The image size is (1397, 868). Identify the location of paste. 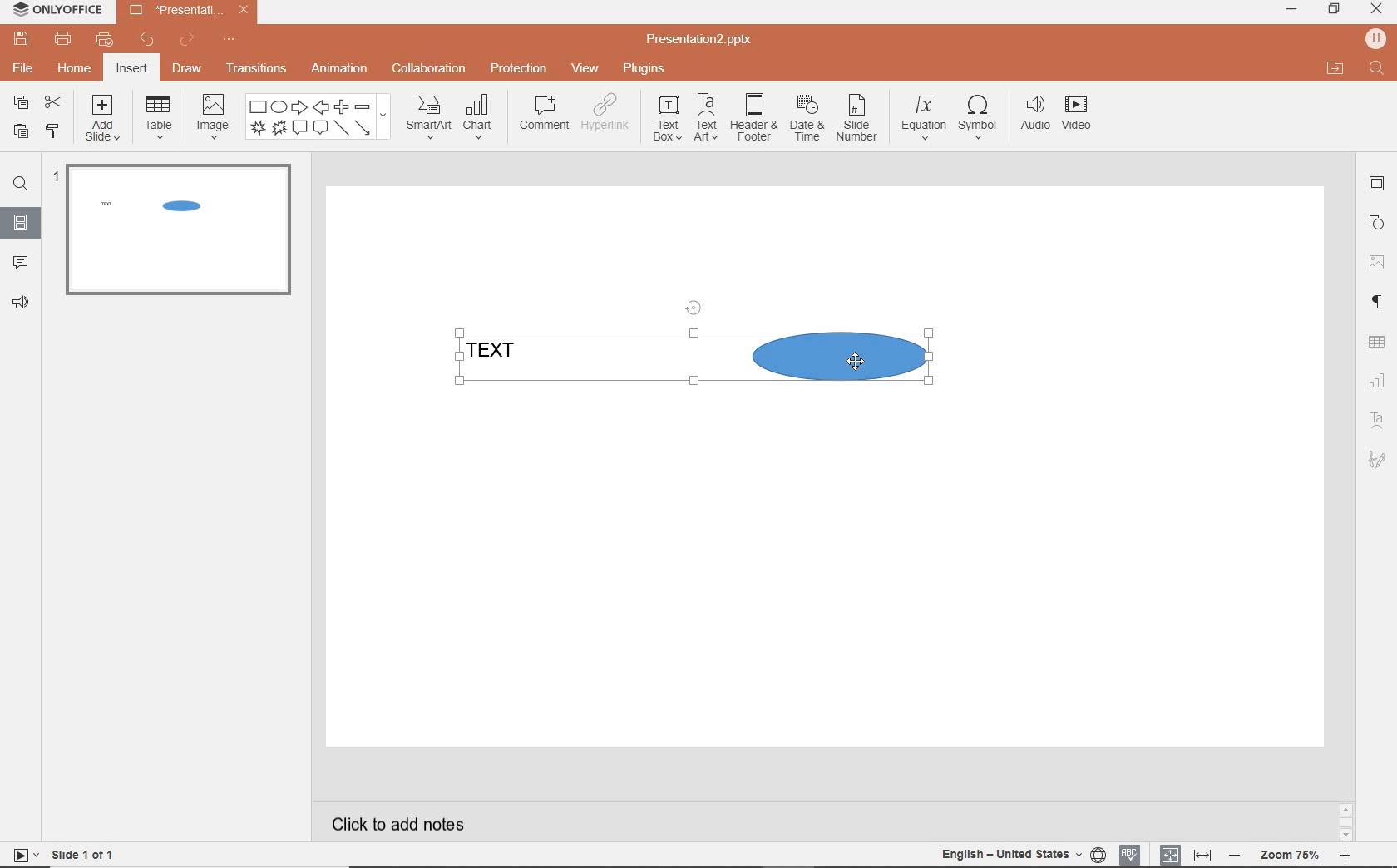
(21, 133).